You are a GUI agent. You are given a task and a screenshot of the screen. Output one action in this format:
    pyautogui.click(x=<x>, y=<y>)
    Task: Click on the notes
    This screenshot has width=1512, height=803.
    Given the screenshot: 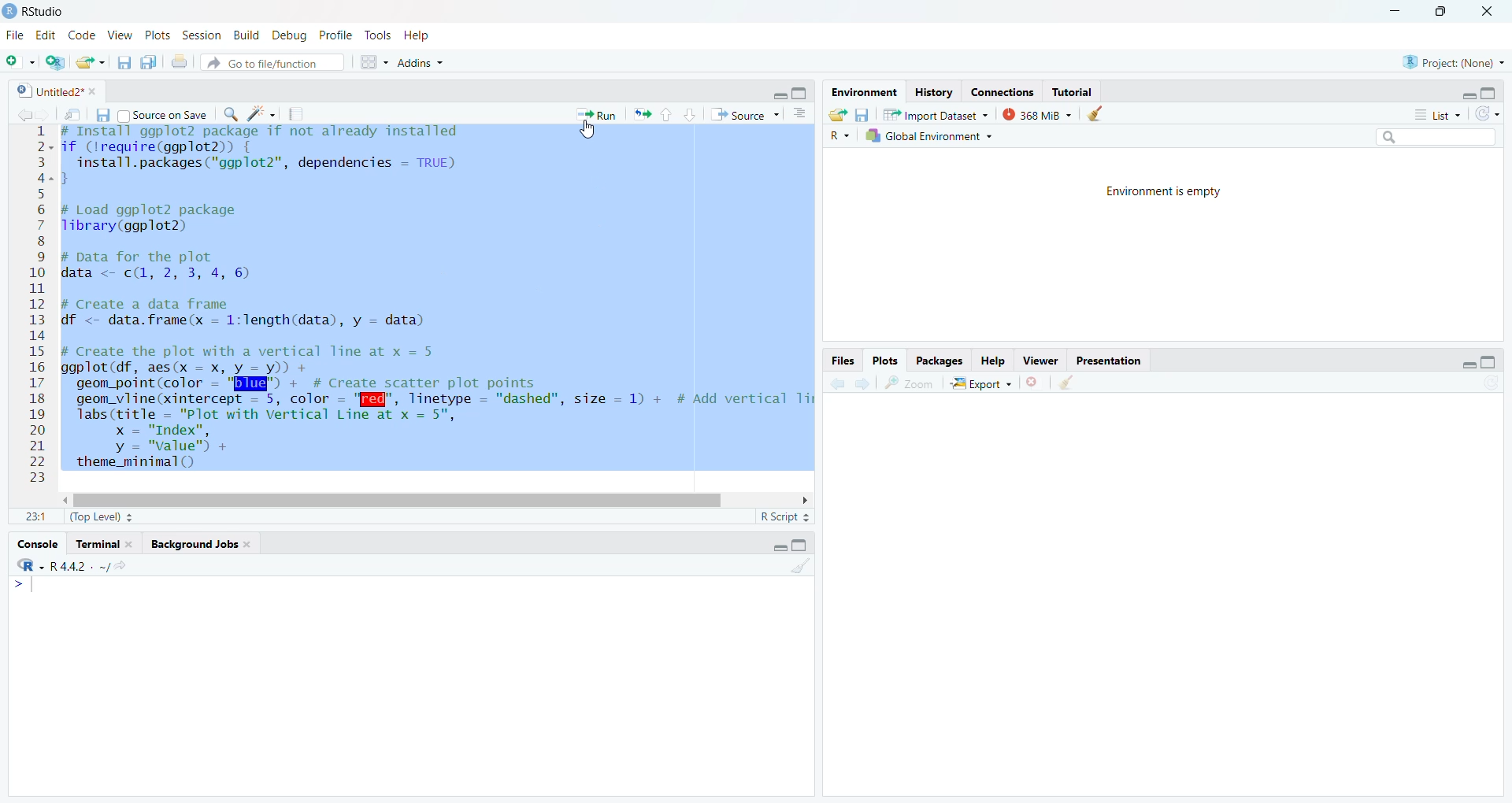 What is the action you would take?
    pyautogui.click(x=301, y=115)
    